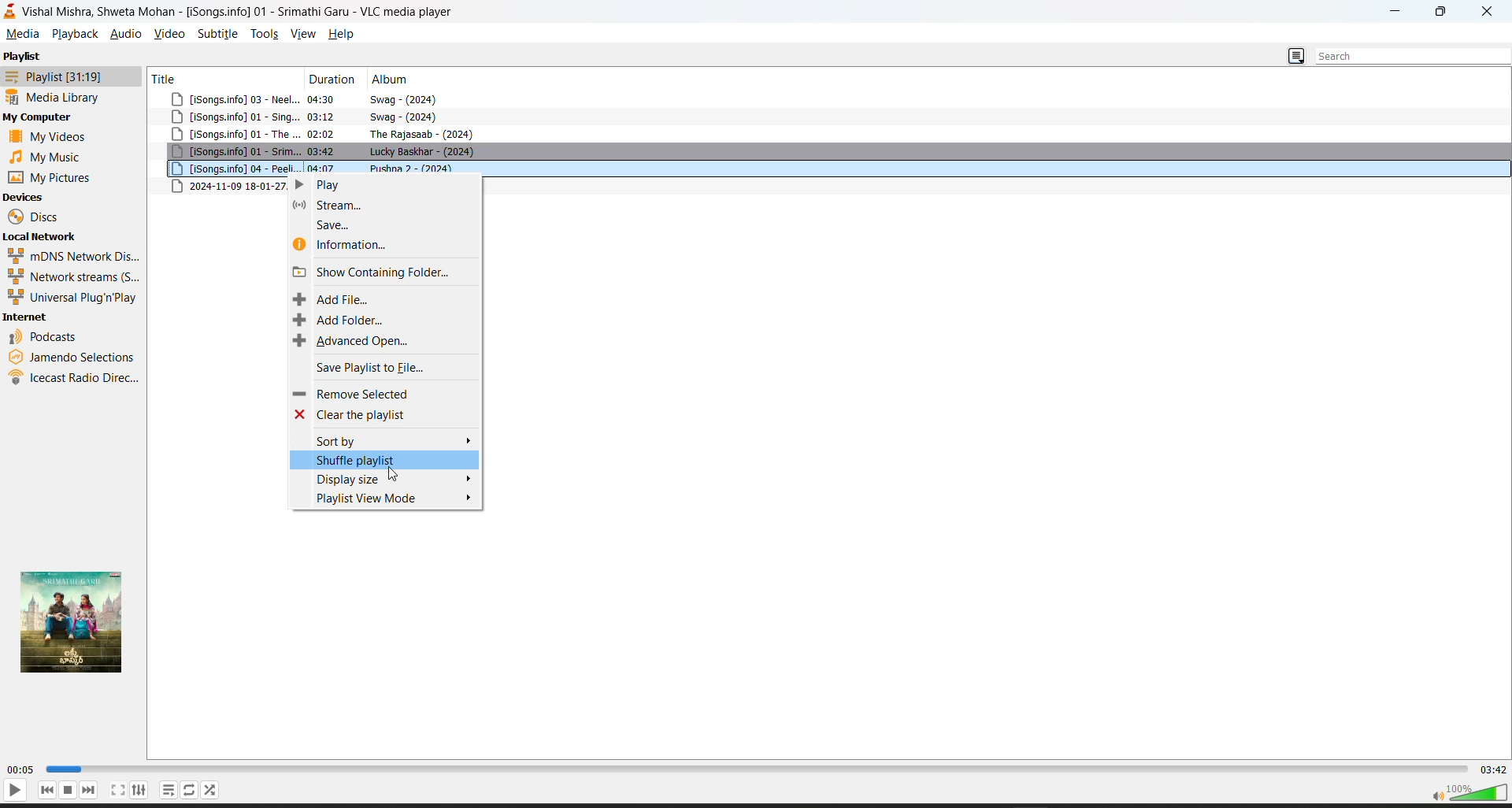 The image size is (1512, 808). What do you see at coordinates (75, 379) in the screenshot?
I see `ice cast radio direct` at bounding box center [75, 379].